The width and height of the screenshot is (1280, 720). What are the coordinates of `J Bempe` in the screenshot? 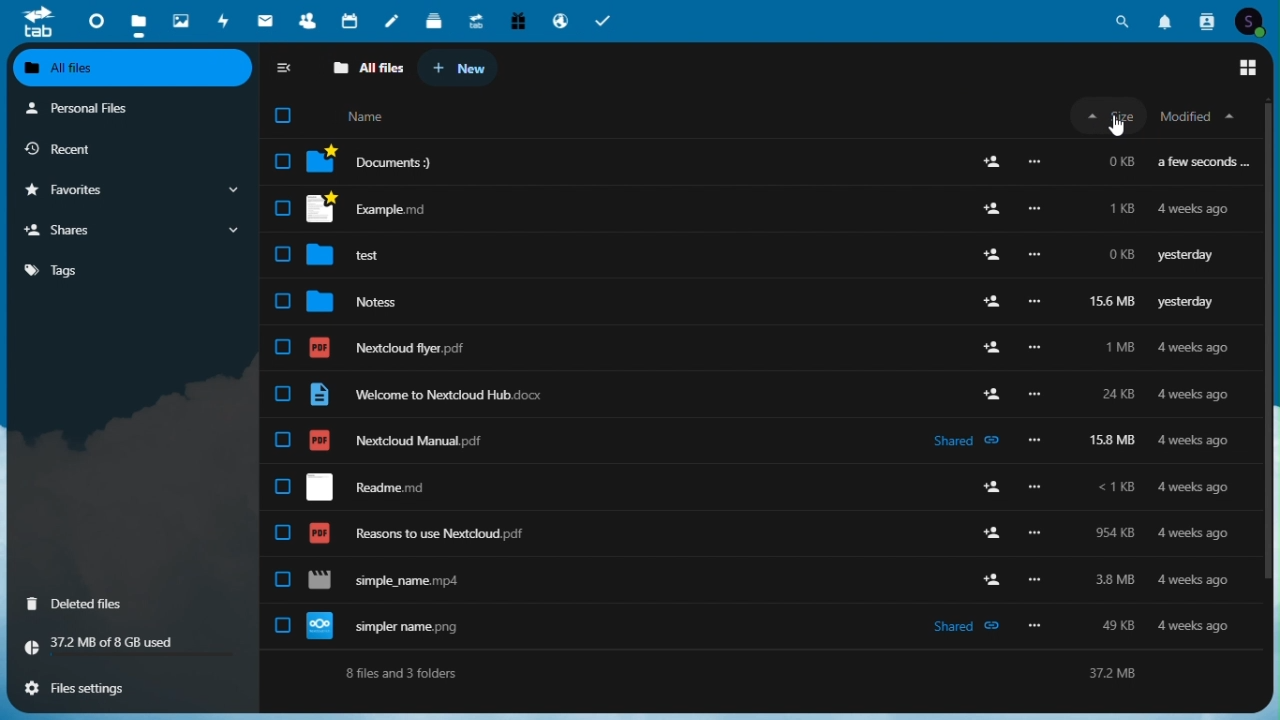 It's located at (755, 206).